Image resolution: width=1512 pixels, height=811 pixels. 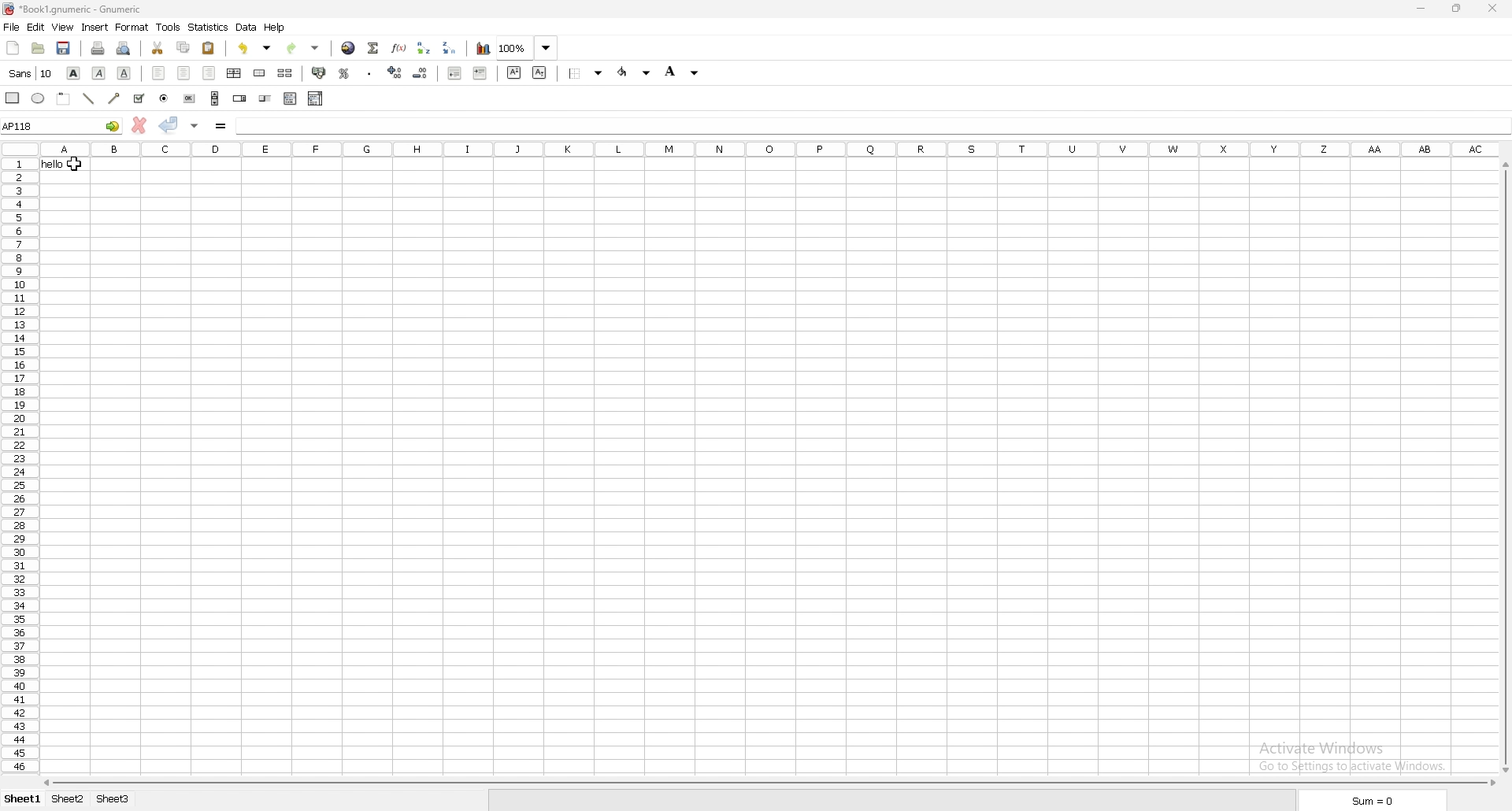 What do you see at coordinates (74, 165) in the screenshot?
I see `cursor` at bounding box center [74, 165].